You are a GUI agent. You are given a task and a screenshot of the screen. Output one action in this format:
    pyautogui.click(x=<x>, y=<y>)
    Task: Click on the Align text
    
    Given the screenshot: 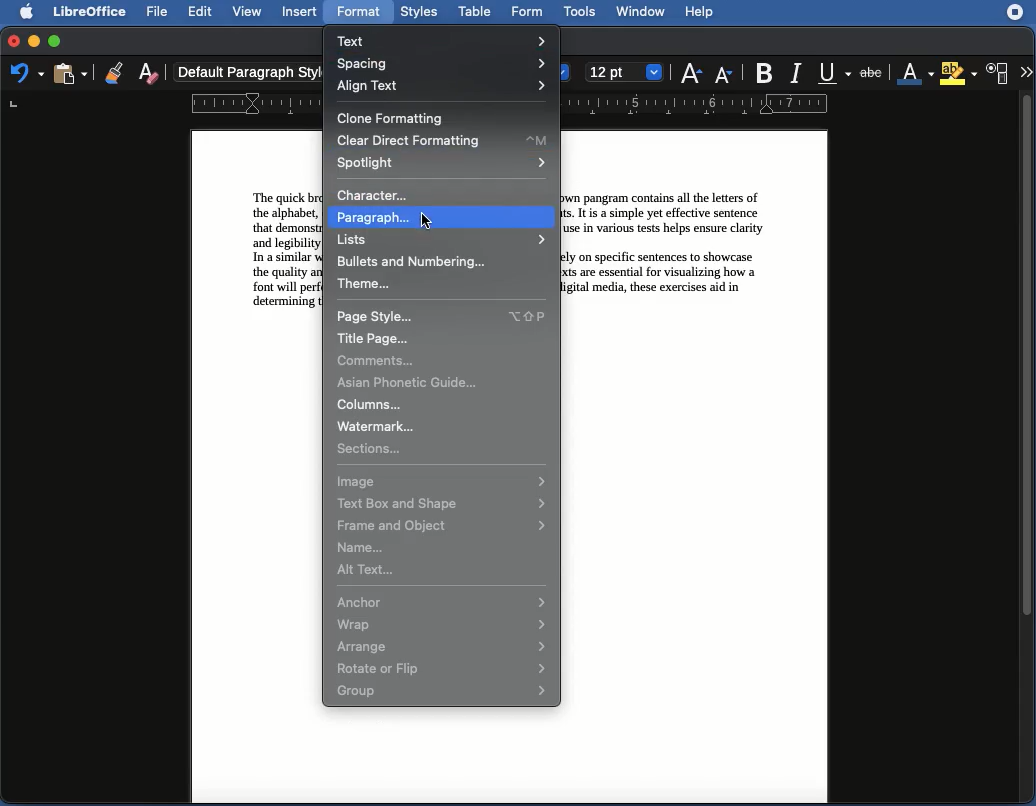 What is the action you would take?
    pyautogui.click(x=444, y=87)
    